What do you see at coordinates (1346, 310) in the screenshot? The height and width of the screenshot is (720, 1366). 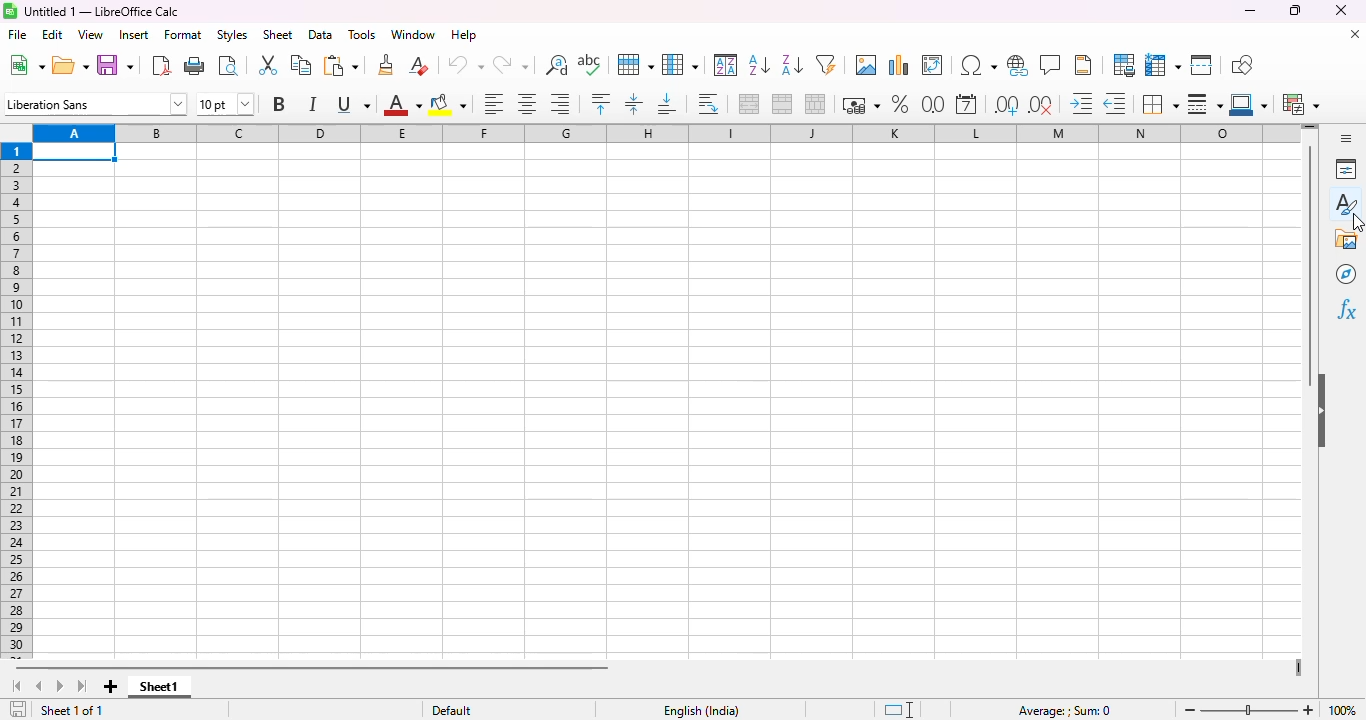 I see `functions` at bounding box center [1346, 310].